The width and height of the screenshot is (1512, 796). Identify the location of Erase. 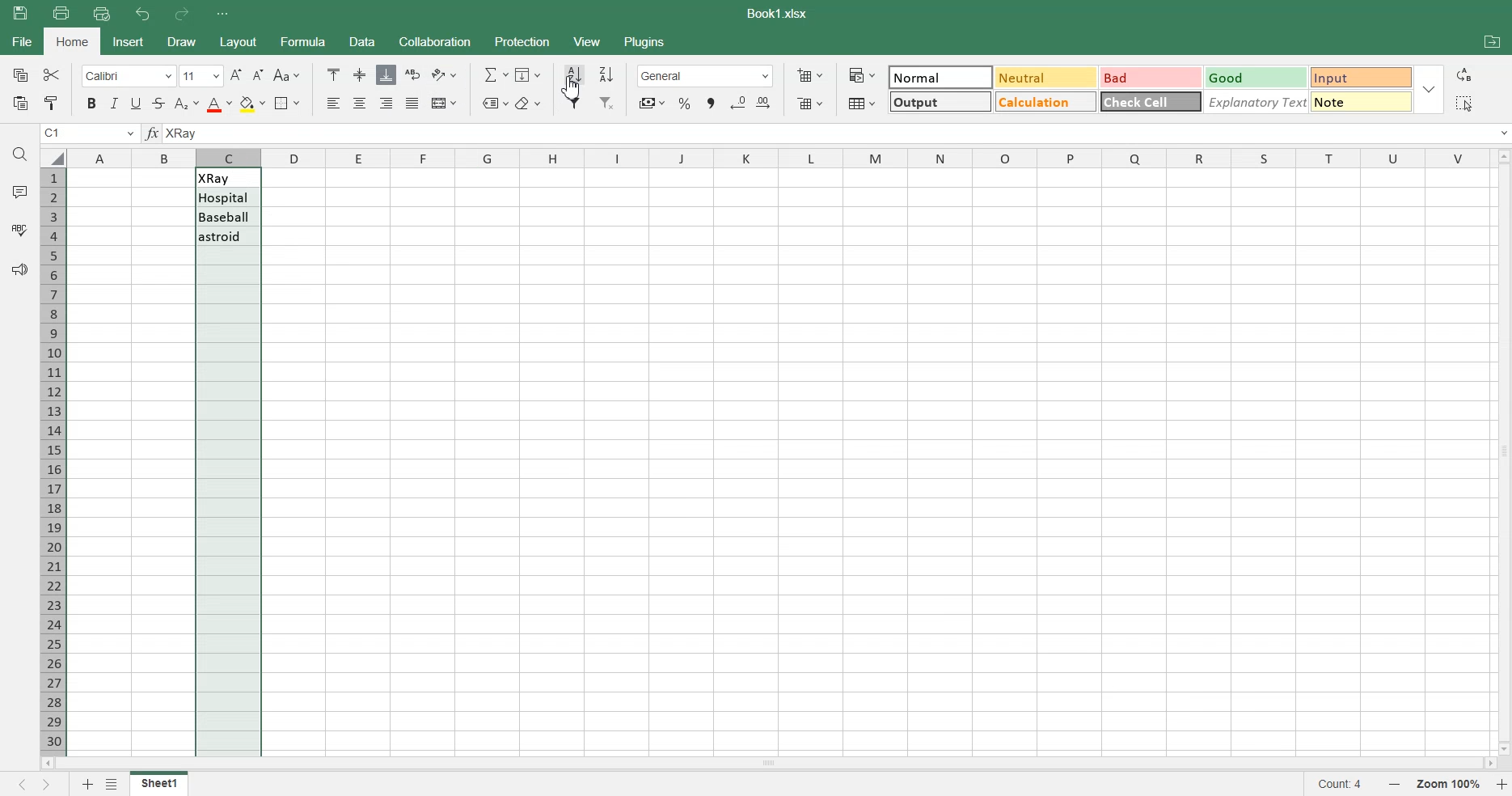
(528, 102).